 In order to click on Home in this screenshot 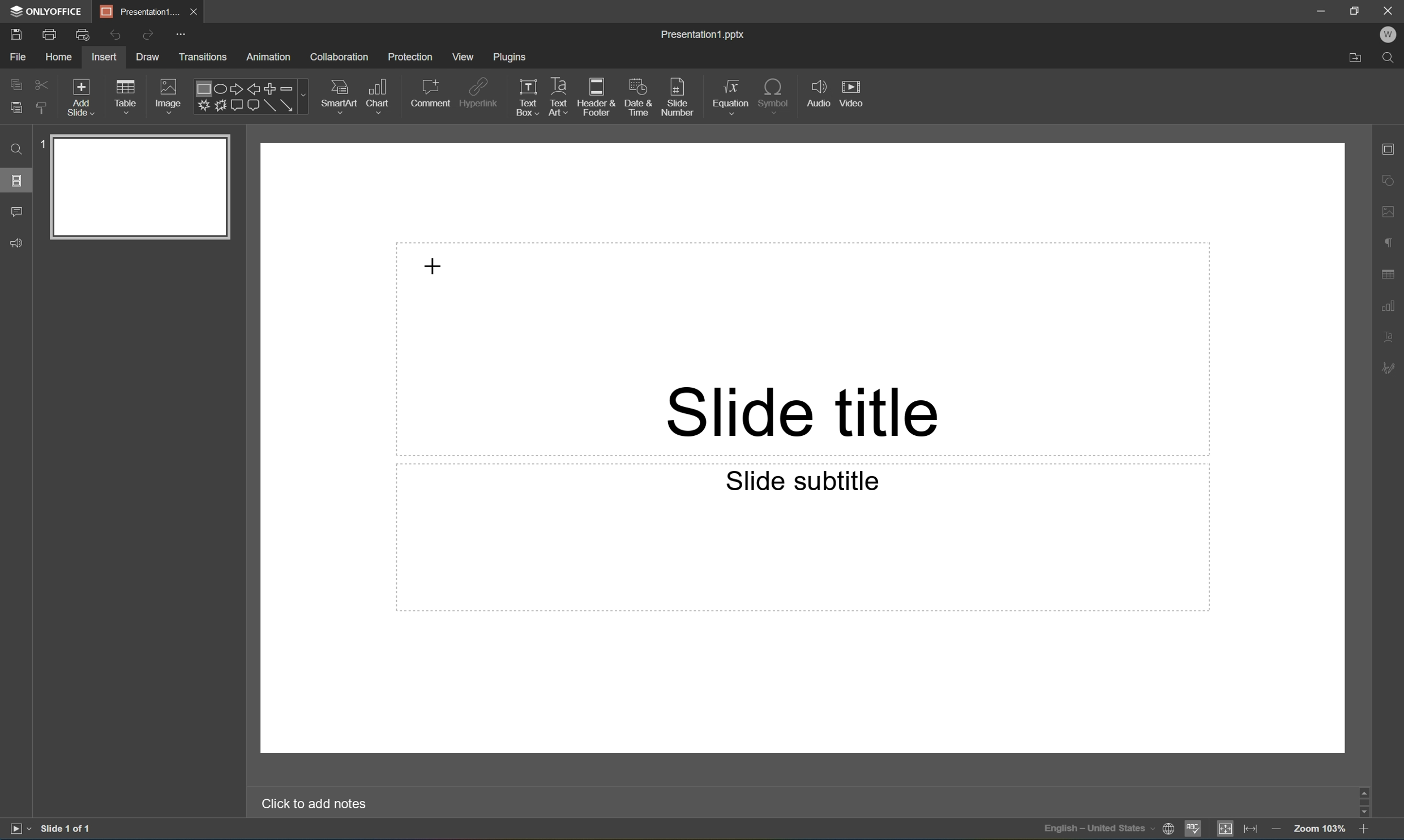, I will do `click(60, 57)`.